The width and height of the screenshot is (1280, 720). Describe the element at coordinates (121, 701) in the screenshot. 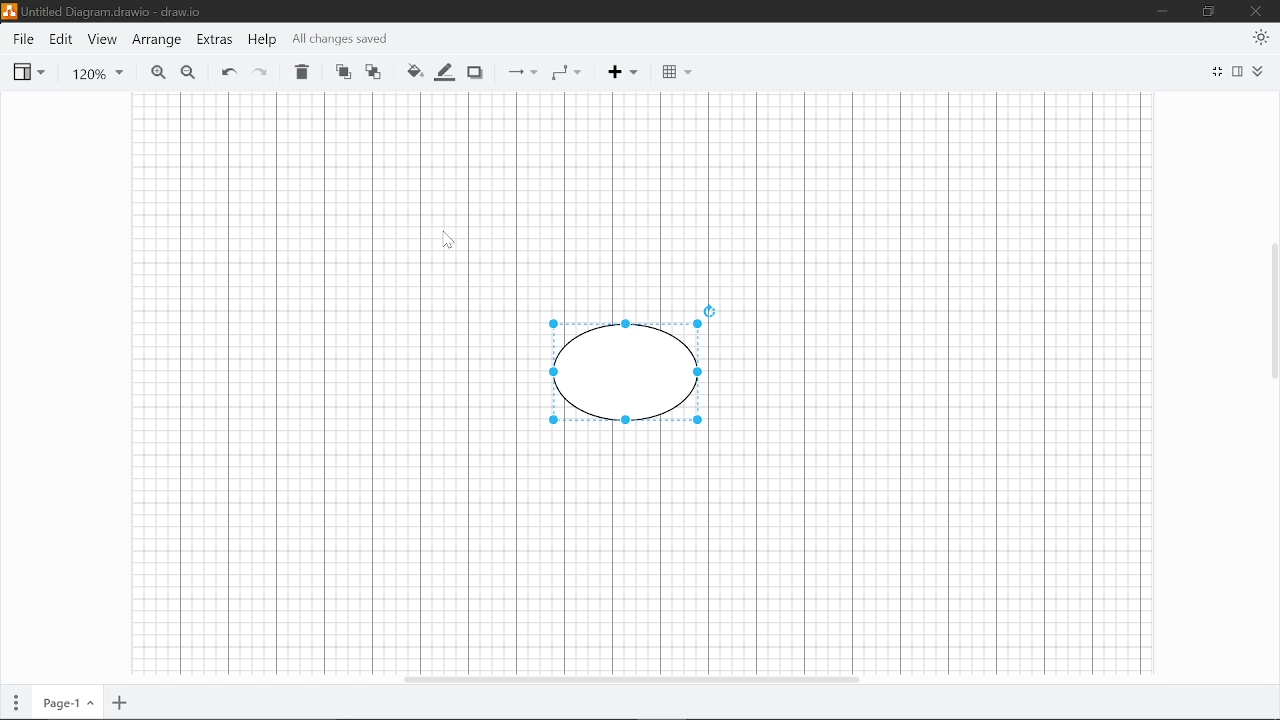

I see `Add page` at that location.